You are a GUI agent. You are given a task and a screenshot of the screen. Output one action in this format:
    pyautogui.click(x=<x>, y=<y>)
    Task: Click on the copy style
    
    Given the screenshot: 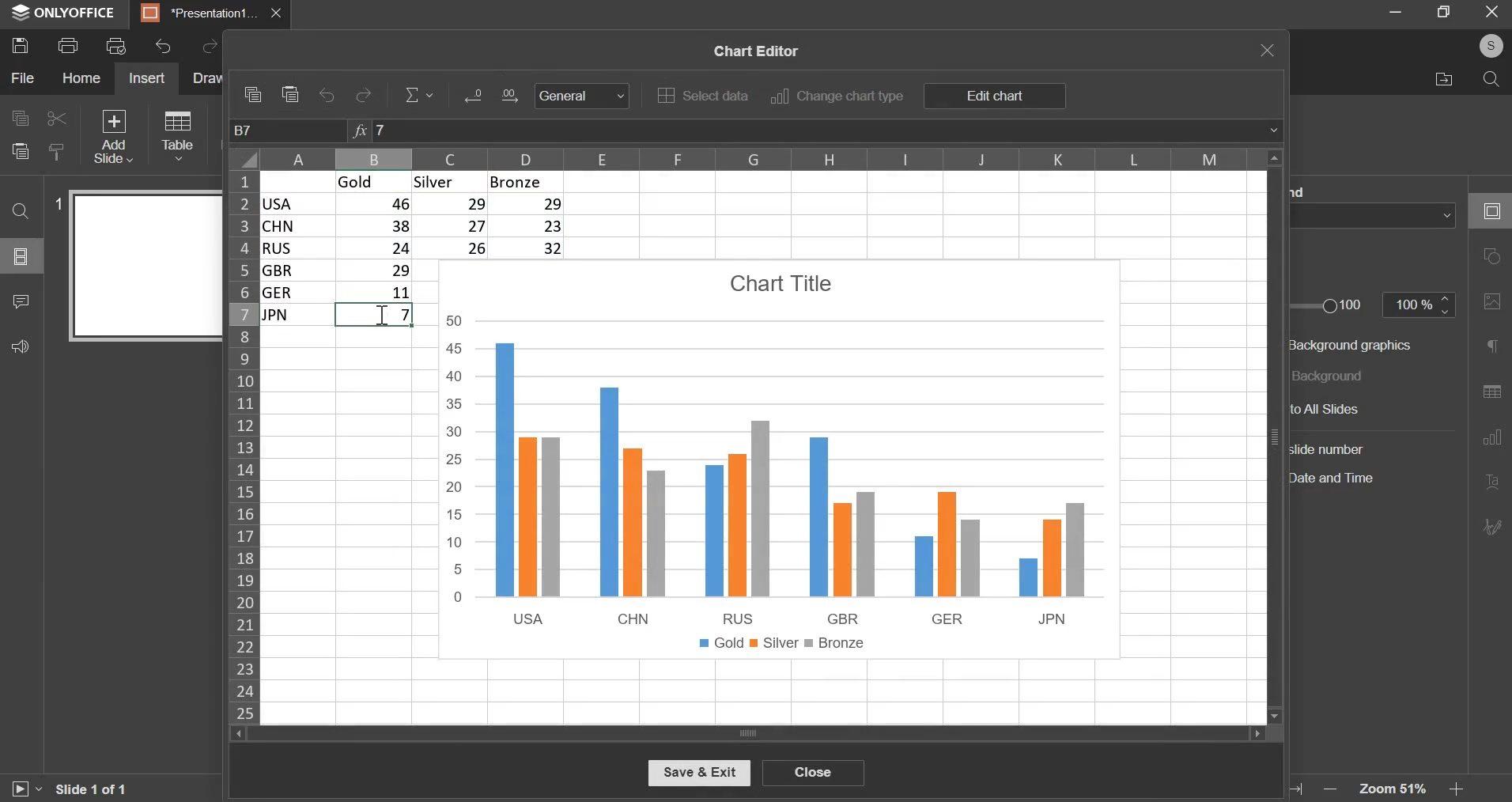 What is the action you would take?
    pyautogui.click(x=57, y=150)
    